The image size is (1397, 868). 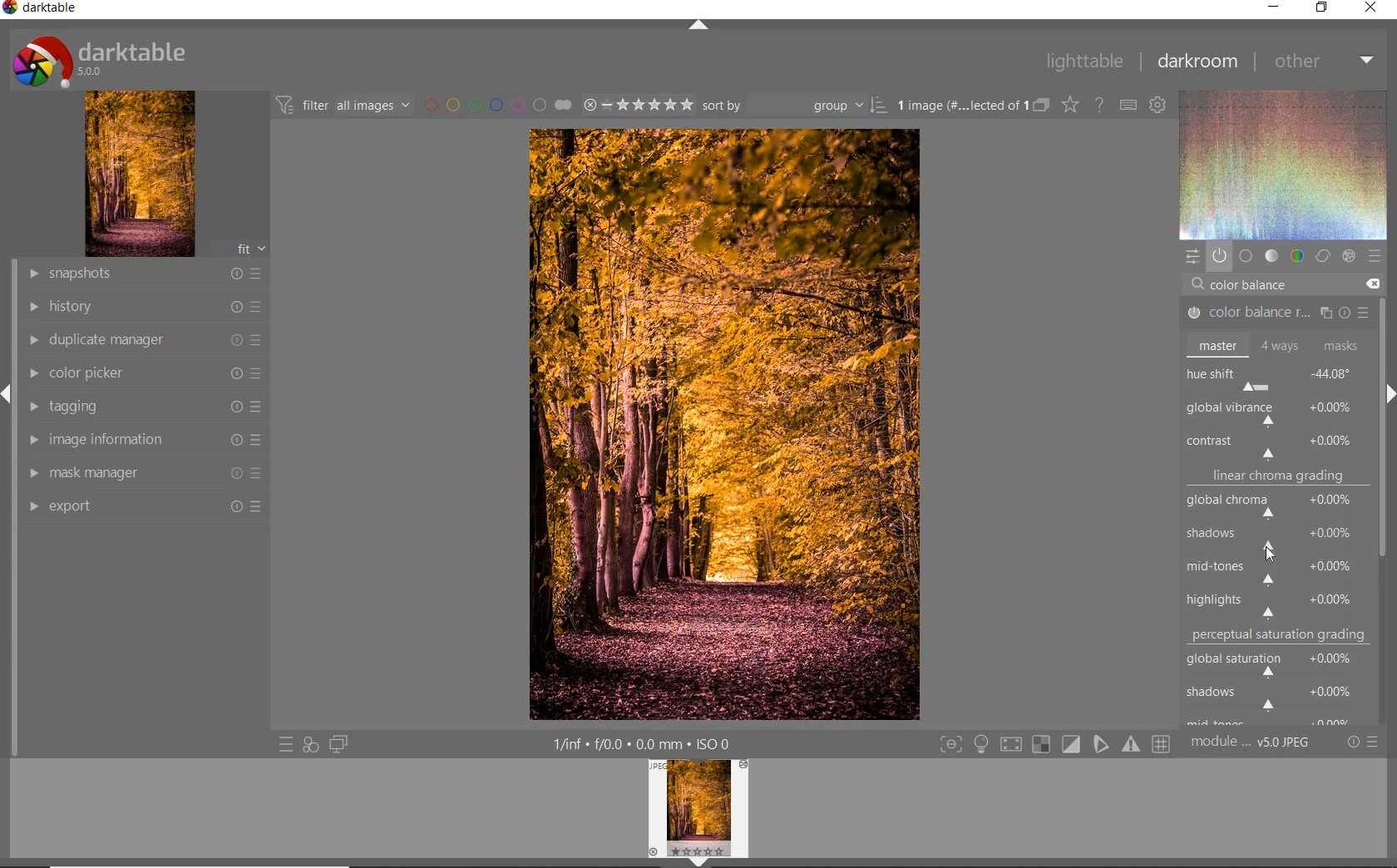 I want to click on expand/collapse, so click(x=696, y=25).